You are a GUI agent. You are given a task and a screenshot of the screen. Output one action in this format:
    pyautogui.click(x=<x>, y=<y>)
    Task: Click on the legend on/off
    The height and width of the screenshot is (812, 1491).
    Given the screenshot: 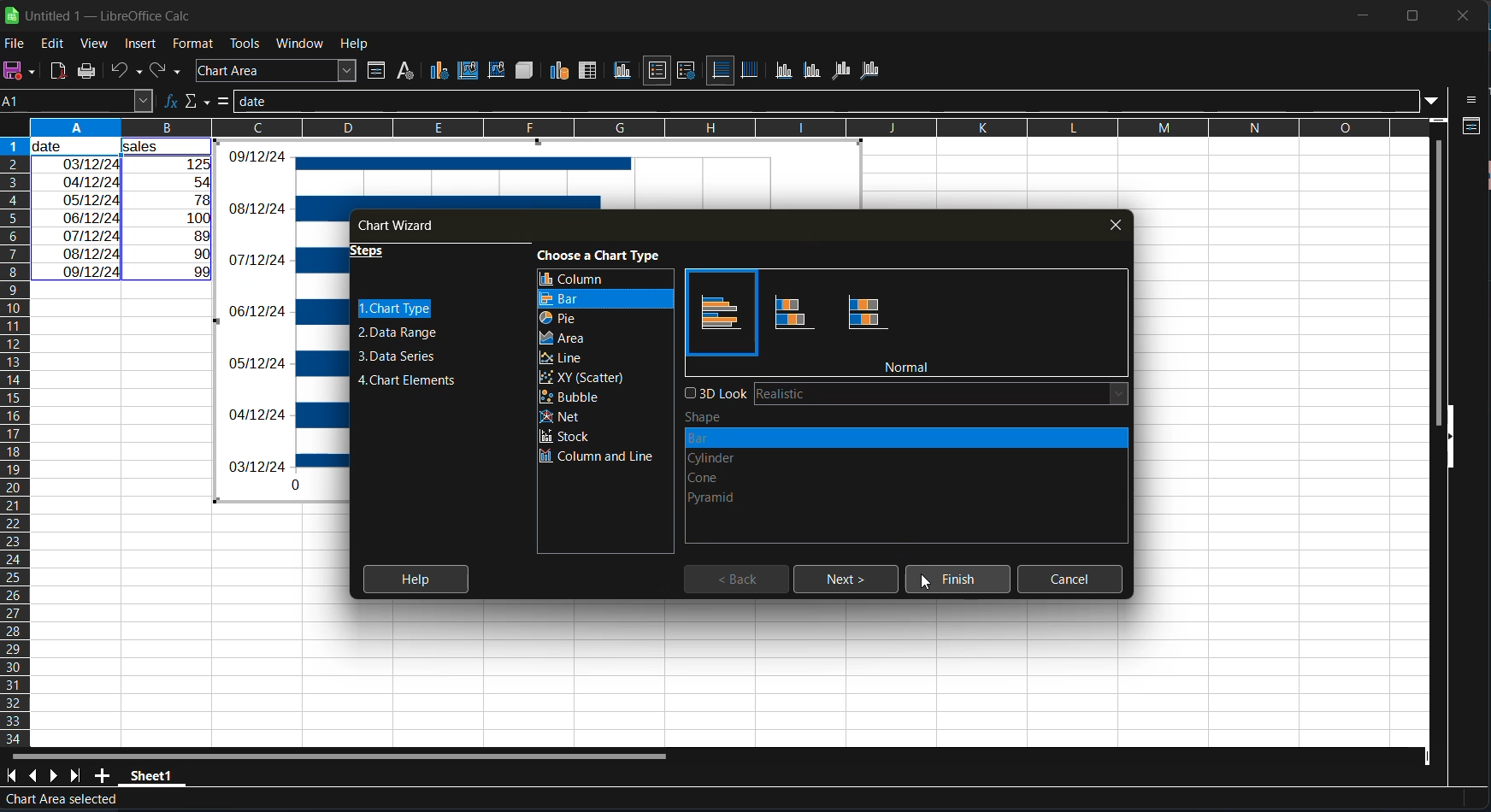 What is the action you would take?
    pyautogui.click(x=659, y=71)
    